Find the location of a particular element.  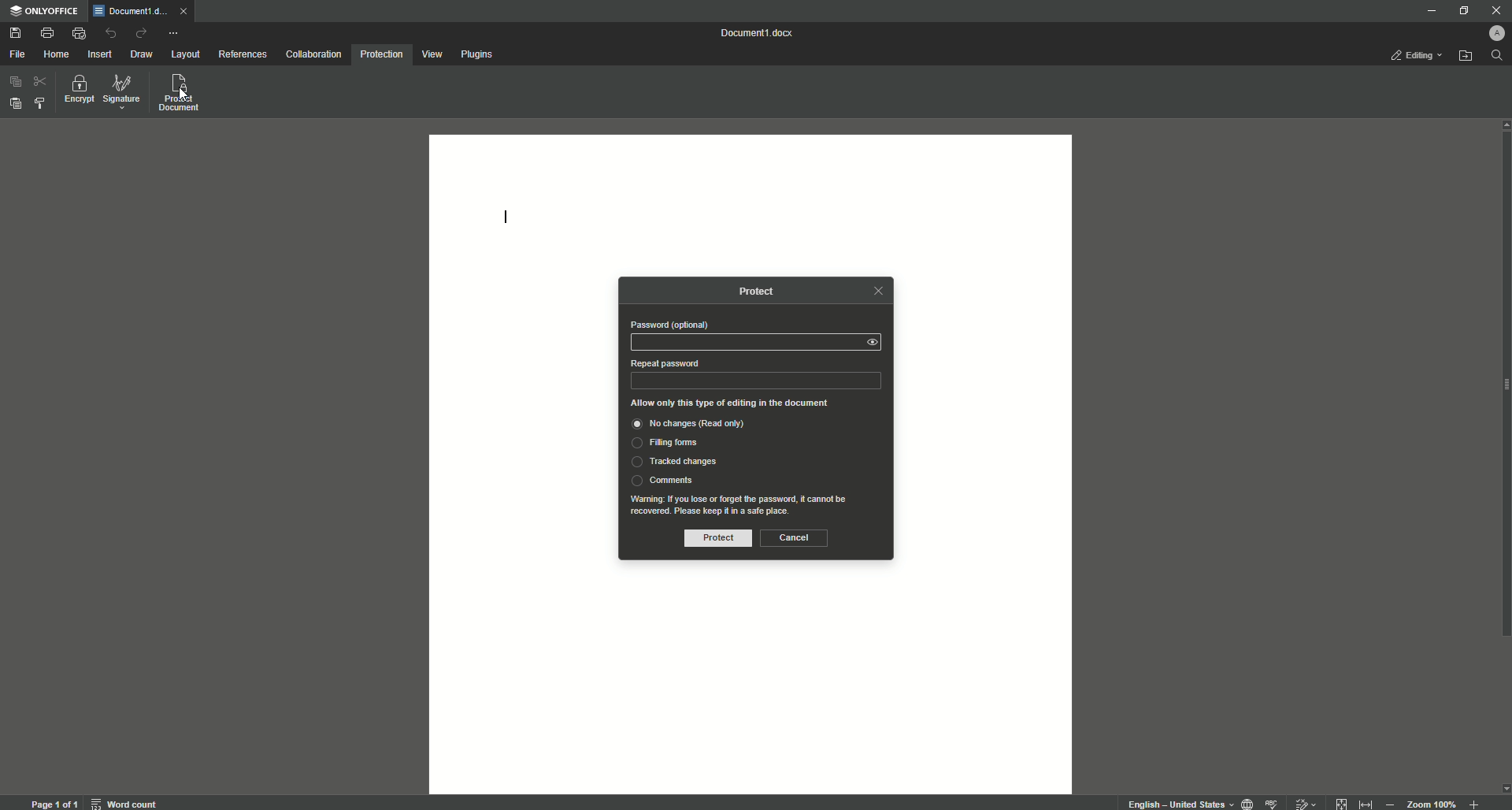

Filing Forms is located at coordinates (669, 444).